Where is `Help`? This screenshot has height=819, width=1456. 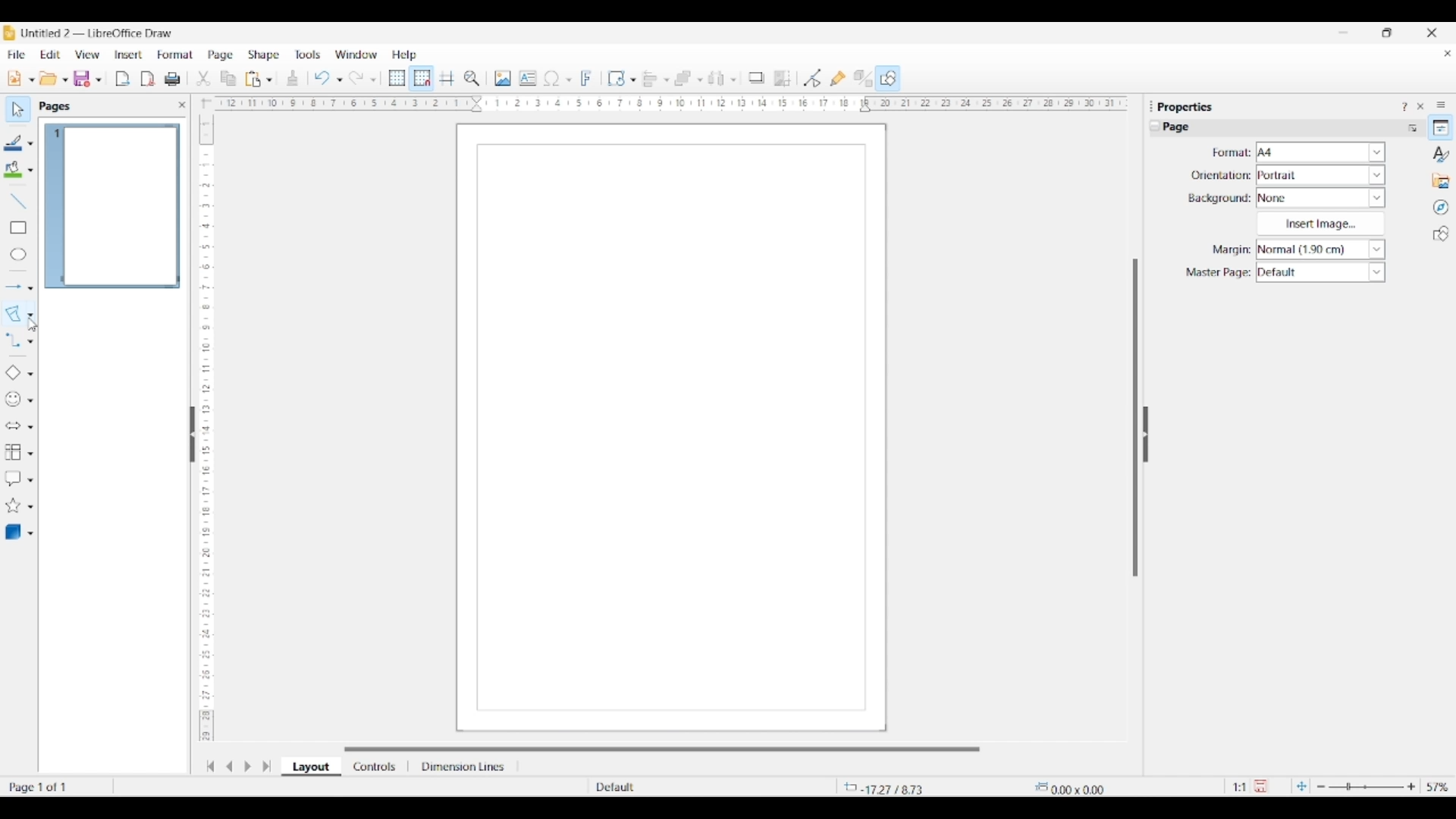
Help is located at coordinates (405, 55).